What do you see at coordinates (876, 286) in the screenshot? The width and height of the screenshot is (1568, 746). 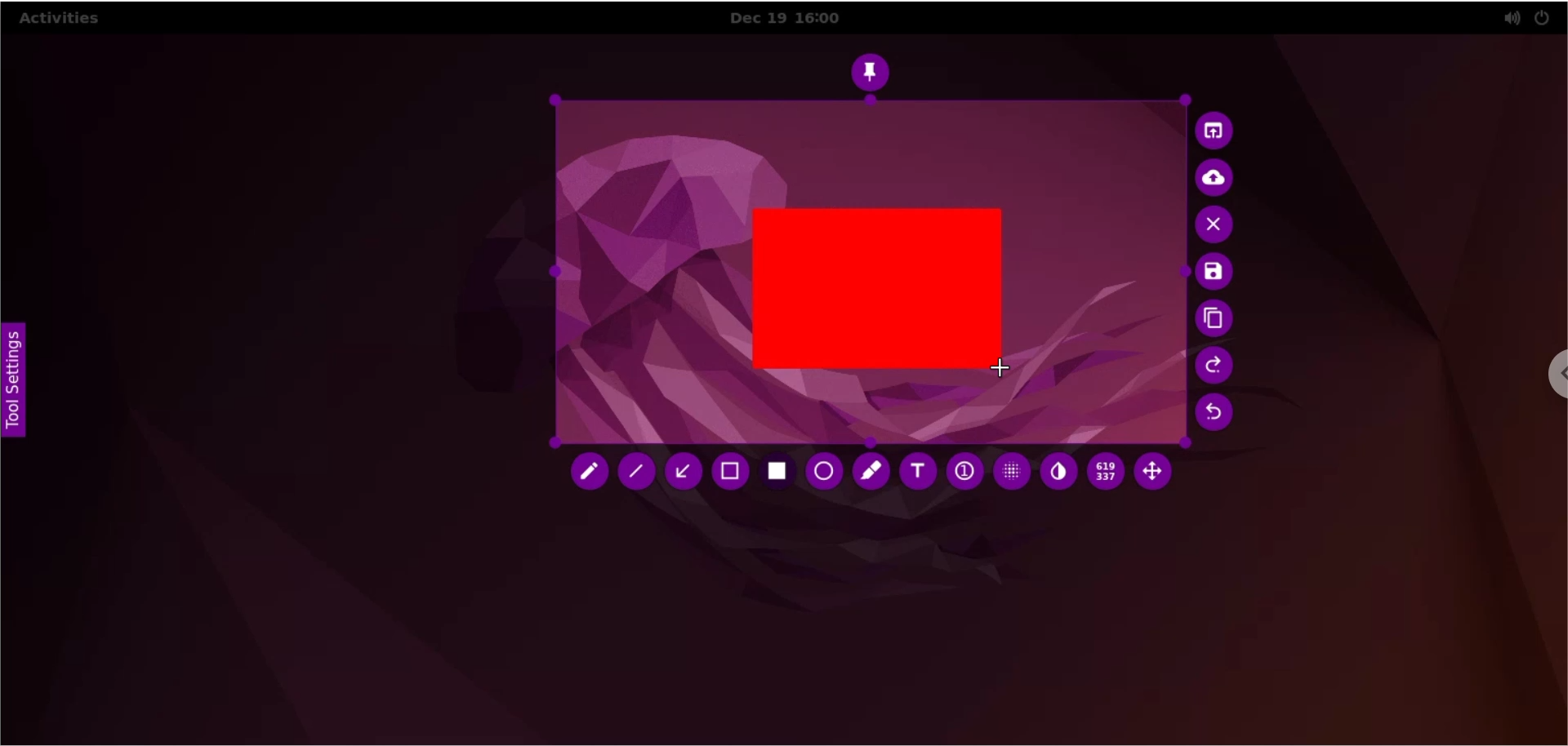 I see `rectangle` at bounding box center [876, 286].